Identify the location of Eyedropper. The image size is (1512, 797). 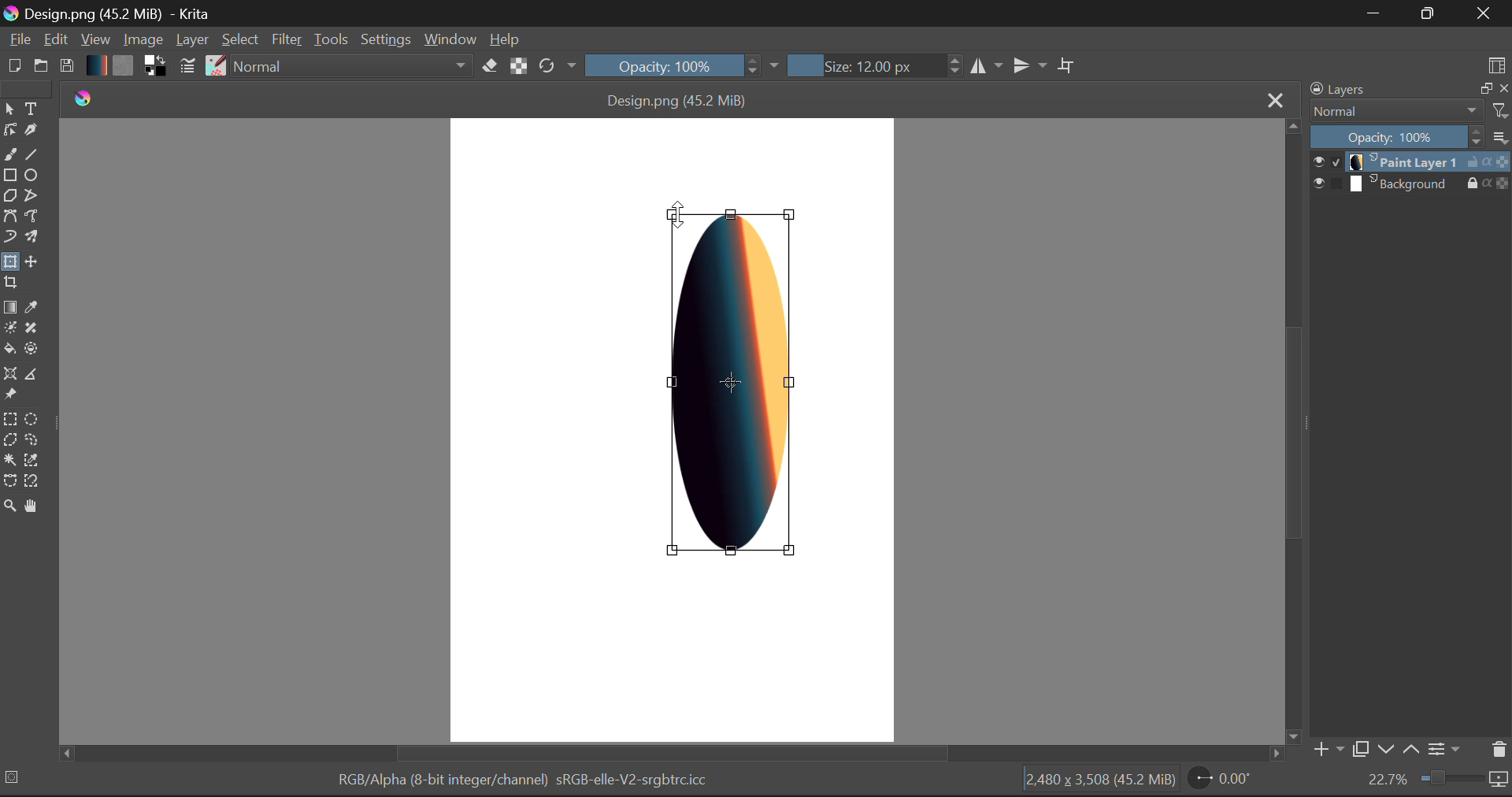
(32, 306).